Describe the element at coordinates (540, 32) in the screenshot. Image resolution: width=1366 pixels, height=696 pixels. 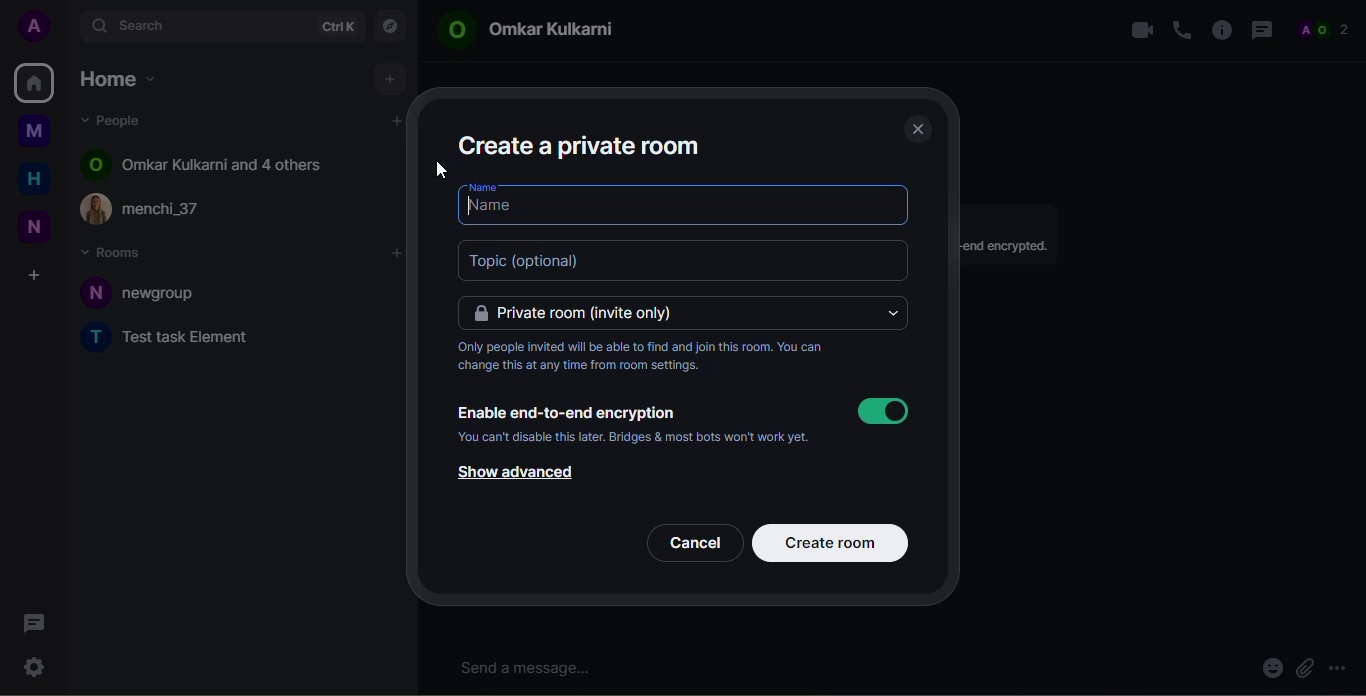
I see `© Omkar Kulkarni` at that location.